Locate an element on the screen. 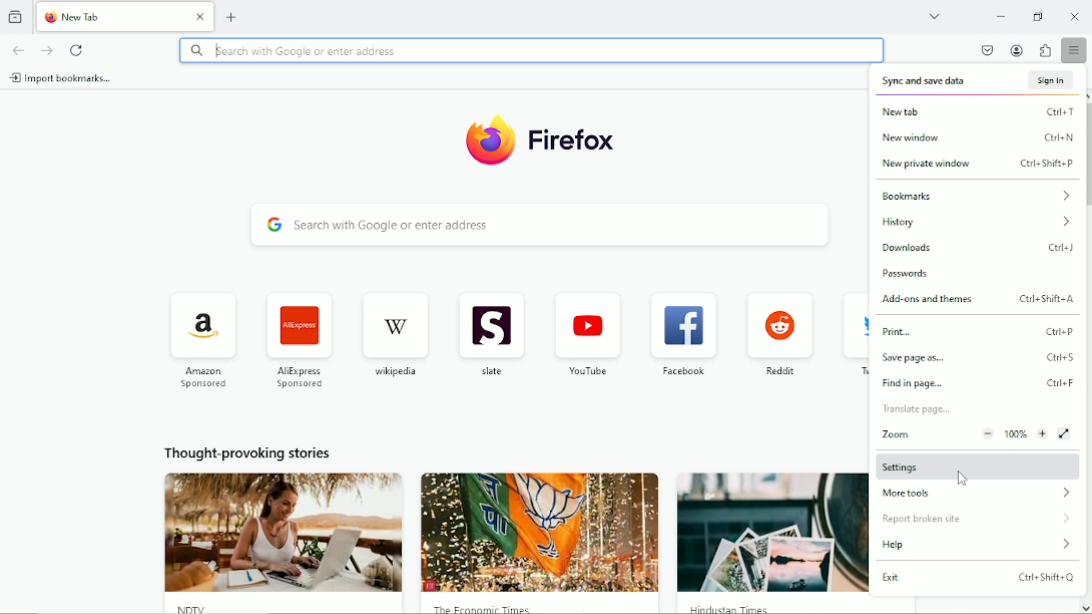  AliExpress is located at coordinates (299, 380).